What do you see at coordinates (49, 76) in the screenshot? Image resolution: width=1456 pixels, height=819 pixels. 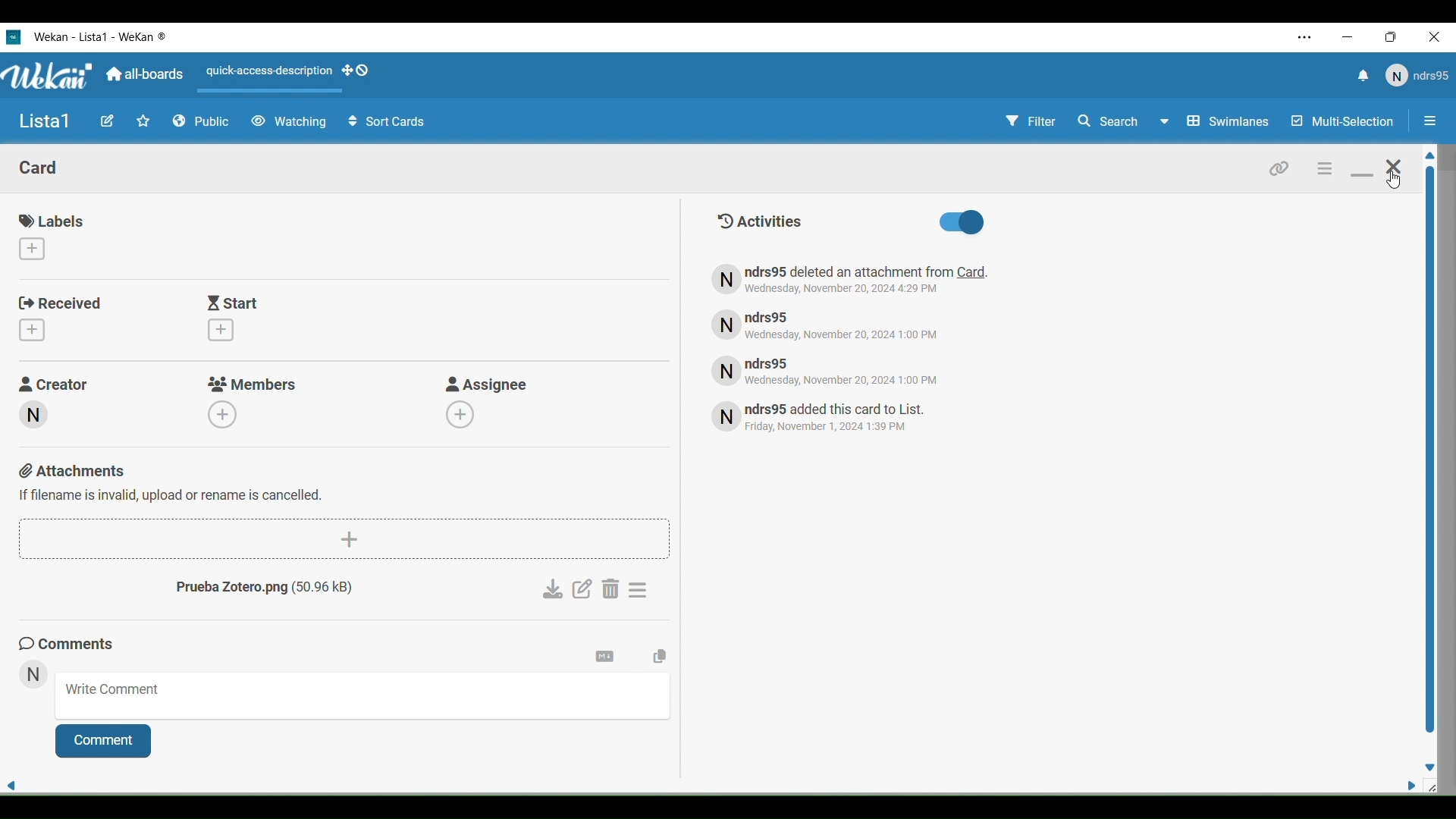 I see `WeKan` at bounding box center [49, 76].